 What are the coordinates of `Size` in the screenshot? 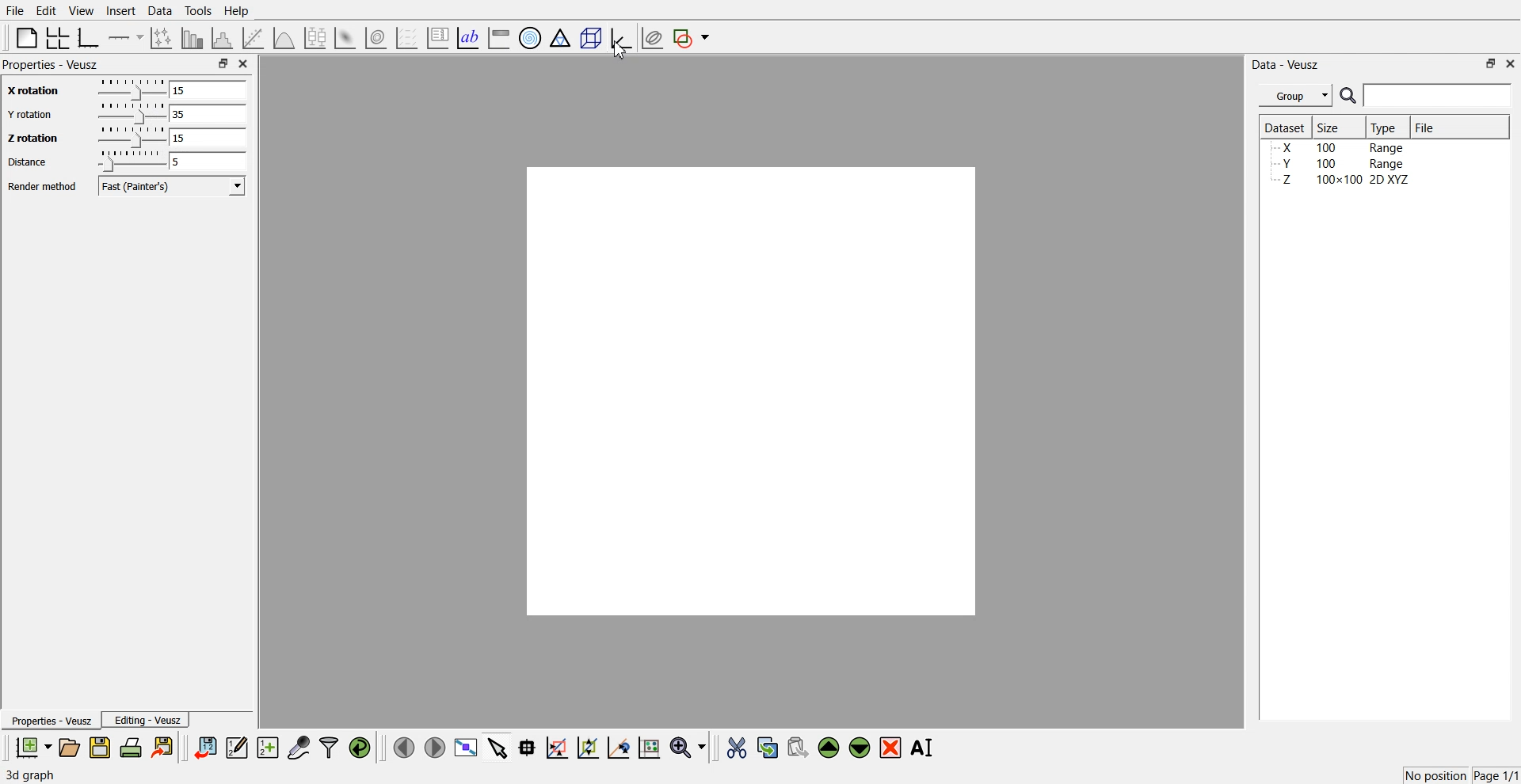 It's located at (1331, 127).